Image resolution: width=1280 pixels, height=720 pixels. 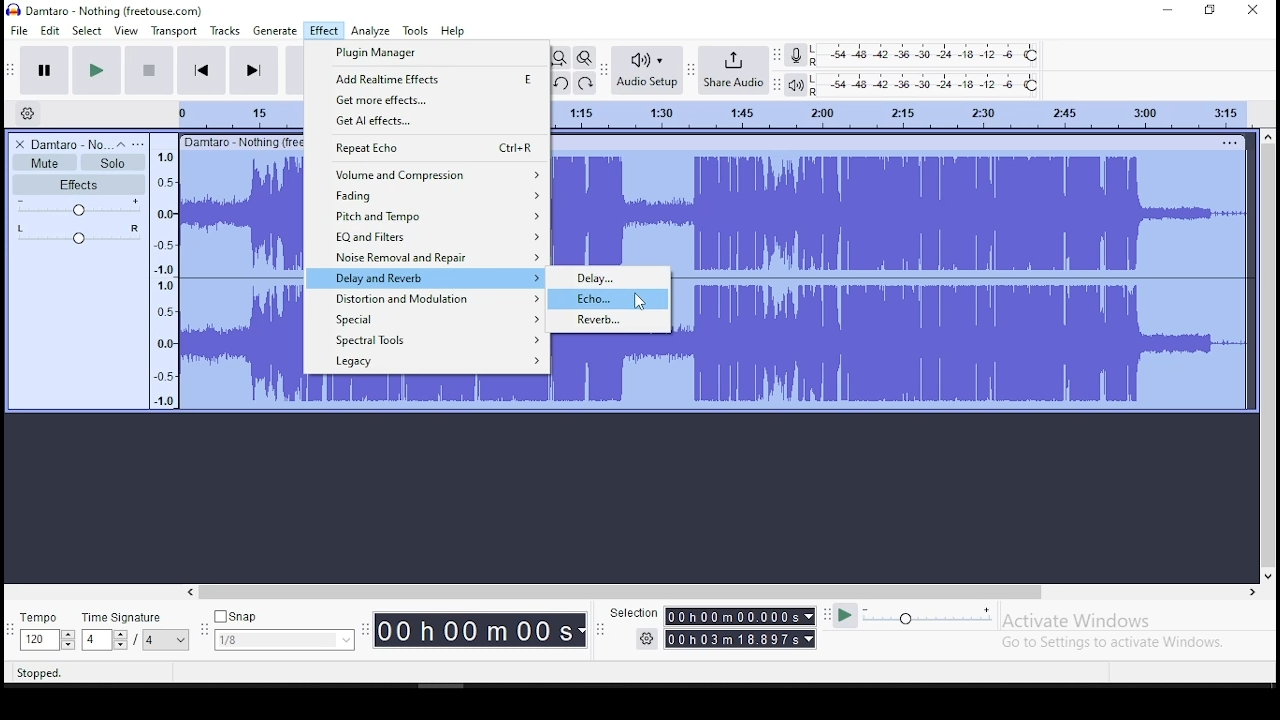 I want to click on Drop down, so click(x=582, y=631).